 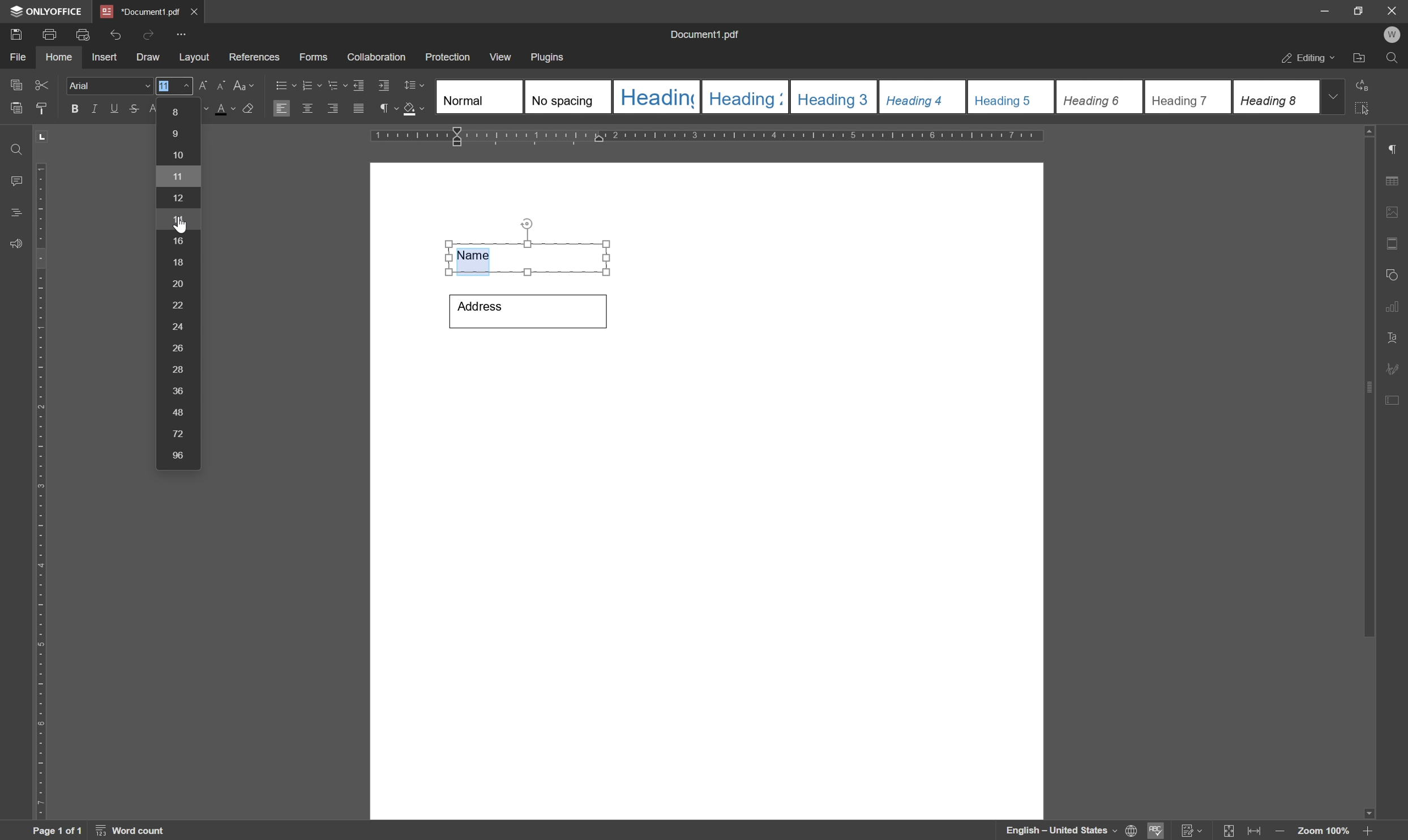 What do you see at coordinates (311, 84) in the screenshot?
I see `numbering` at bounding box center [311, 84].